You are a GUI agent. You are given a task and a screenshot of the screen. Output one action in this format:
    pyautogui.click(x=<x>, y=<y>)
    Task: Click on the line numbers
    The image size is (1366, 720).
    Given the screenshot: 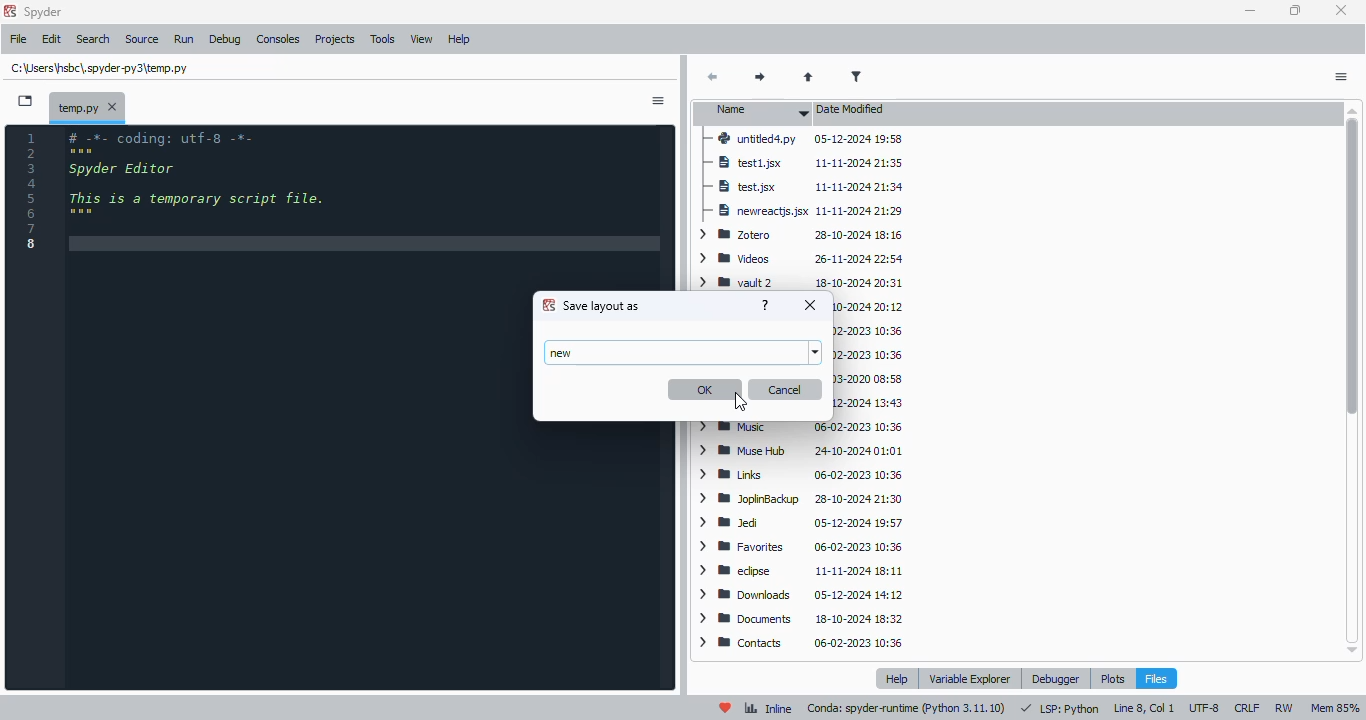 What is the action you would take?
    pyautogui.click(x=34, y=192)
    